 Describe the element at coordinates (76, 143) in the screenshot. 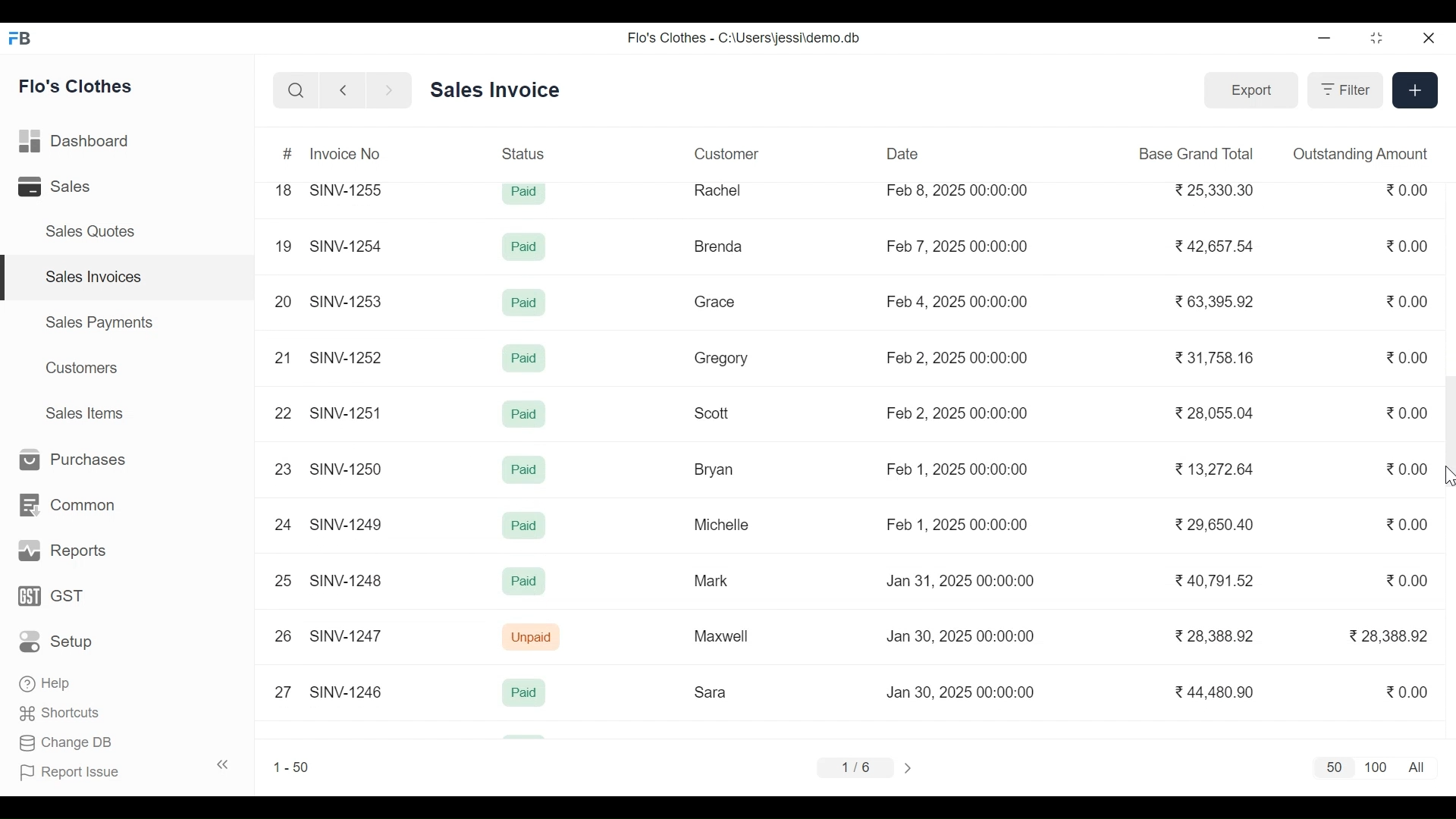

I see `Dashboard` at that location.